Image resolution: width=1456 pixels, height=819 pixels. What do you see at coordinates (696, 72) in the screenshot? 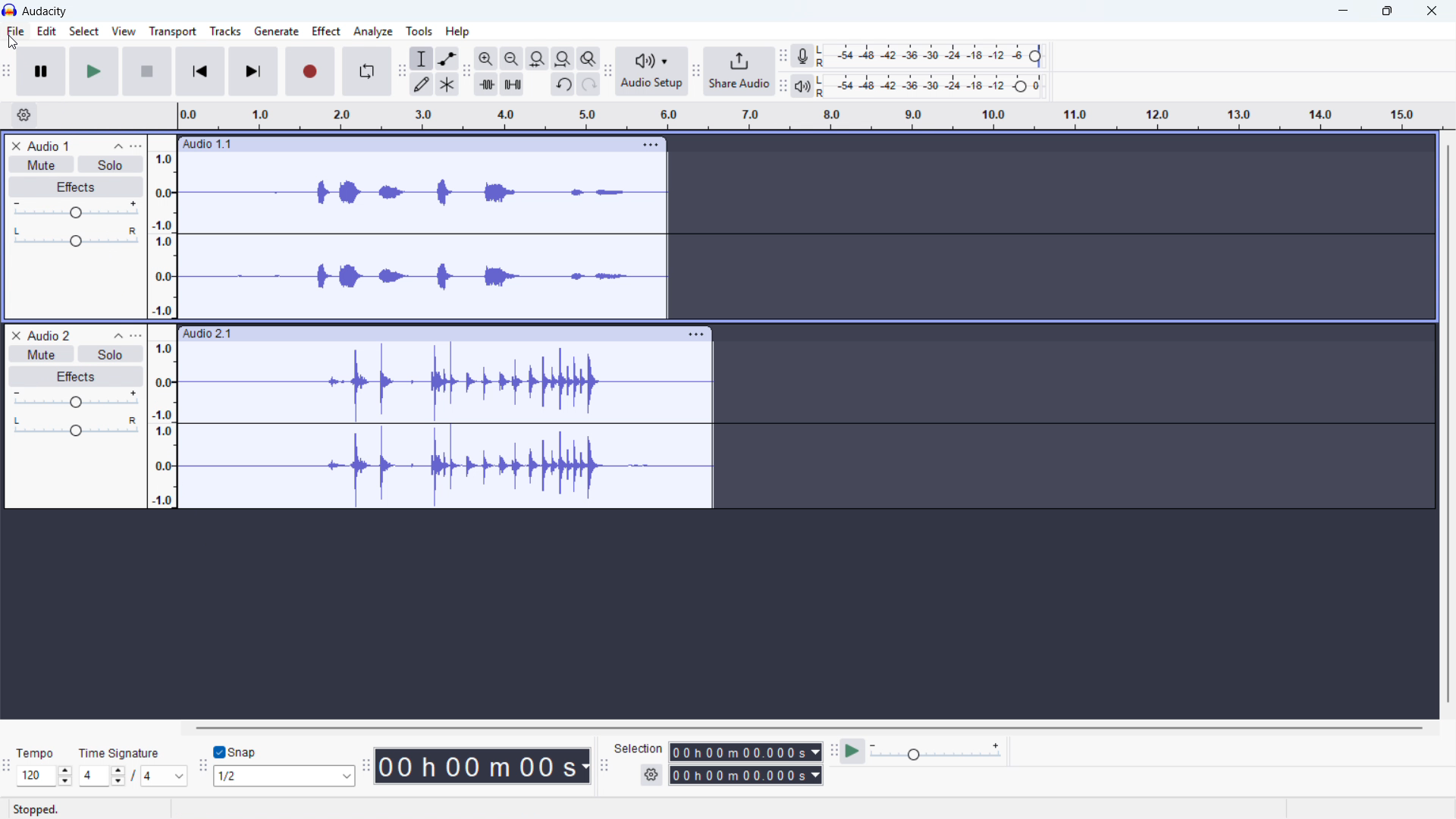
I see `Share audio toolbar` at bounding box center [696, 72].